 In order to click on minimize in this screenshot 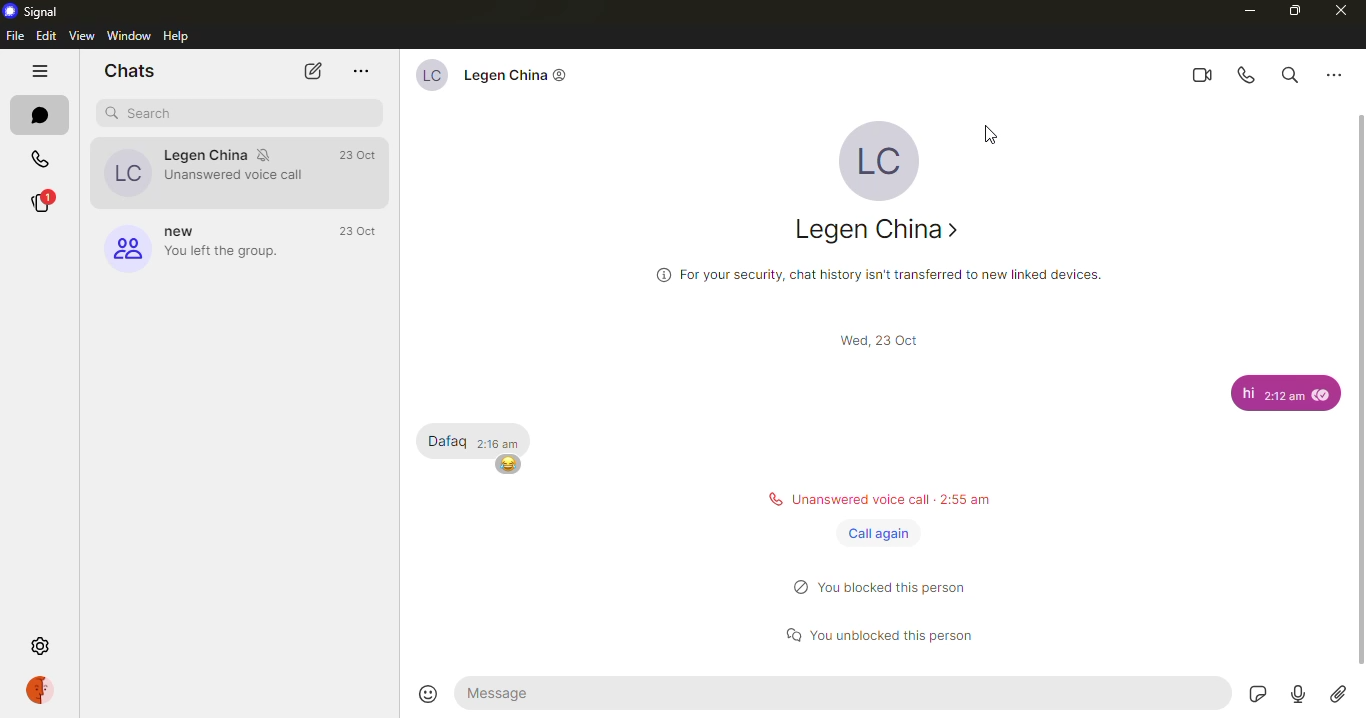, I will do `click(1248, 10)`.